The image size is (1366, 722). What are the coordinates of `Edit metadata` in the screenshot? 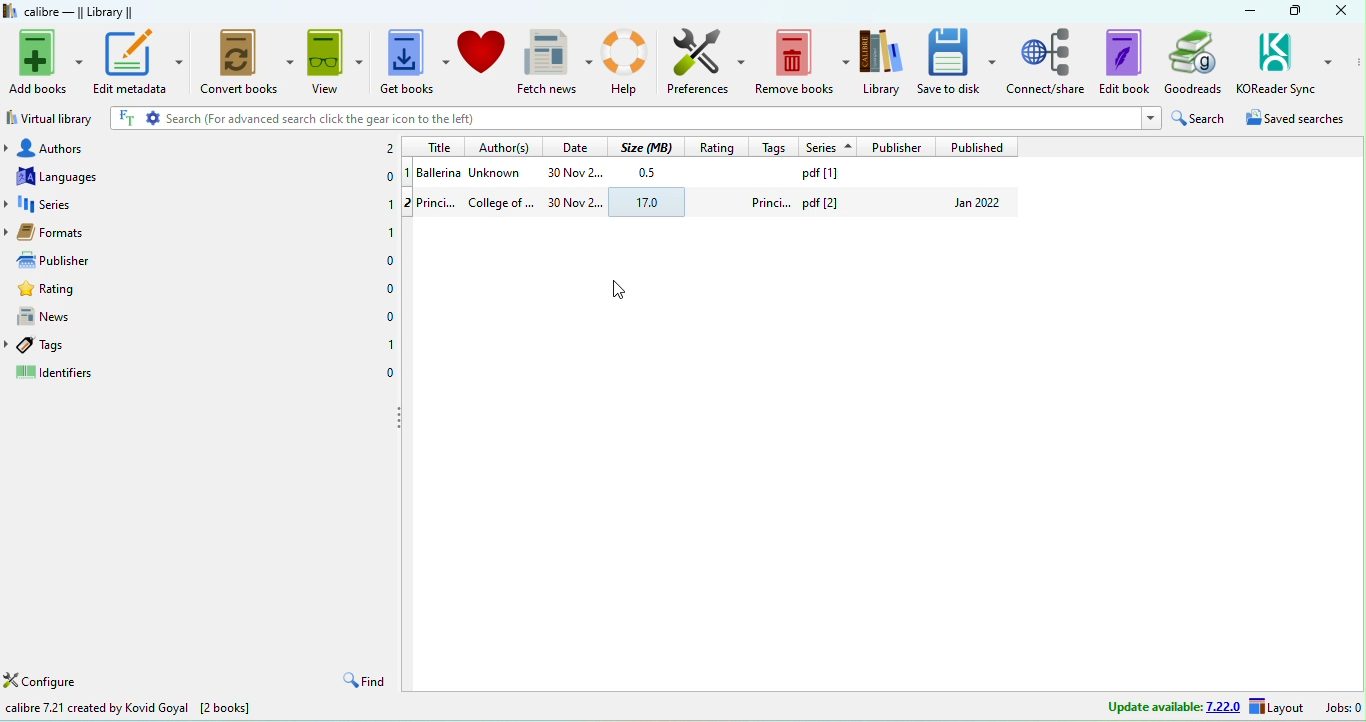 It's located at (142, 61).